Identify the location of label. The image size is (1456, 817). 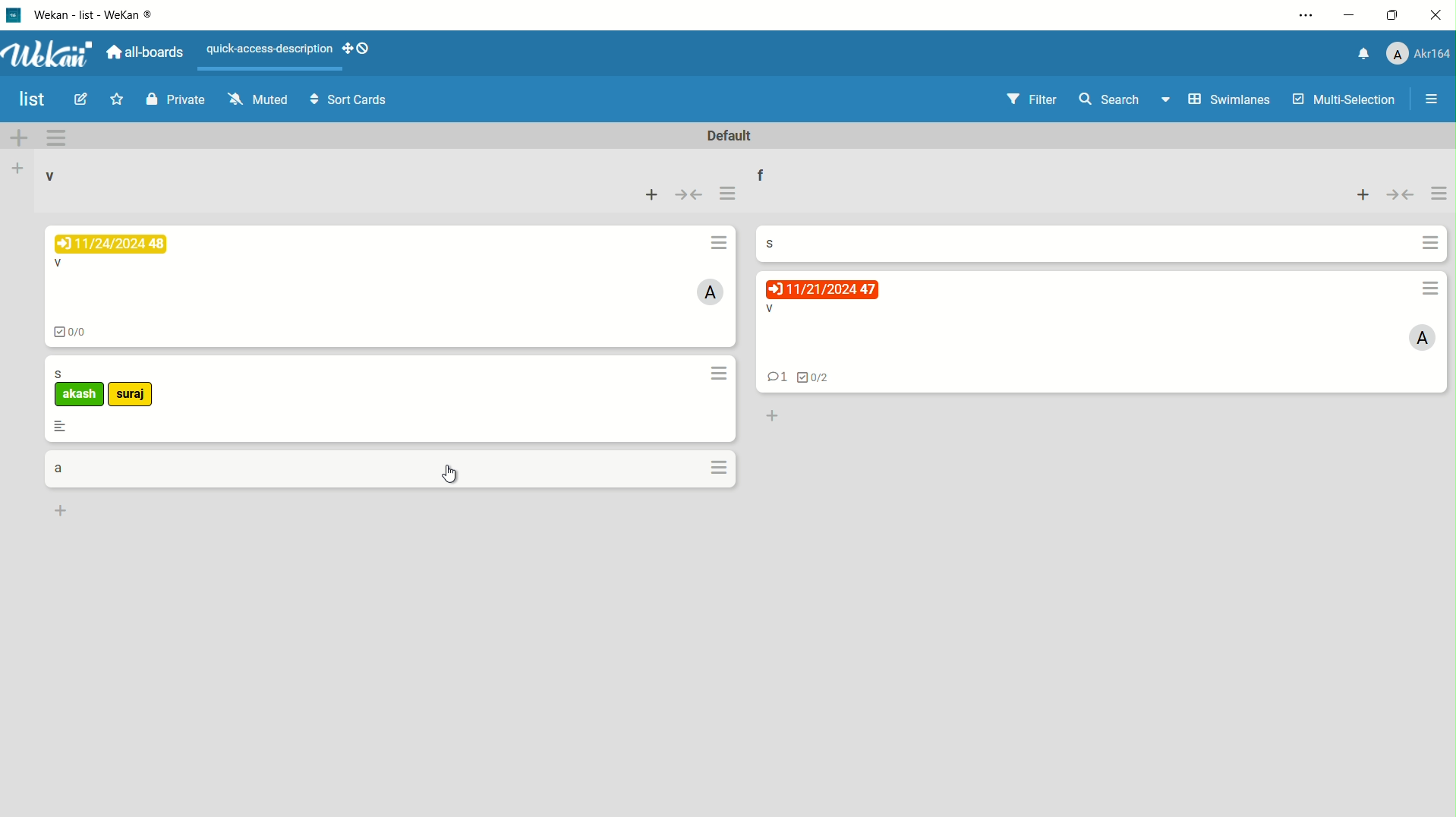
(80, 395).